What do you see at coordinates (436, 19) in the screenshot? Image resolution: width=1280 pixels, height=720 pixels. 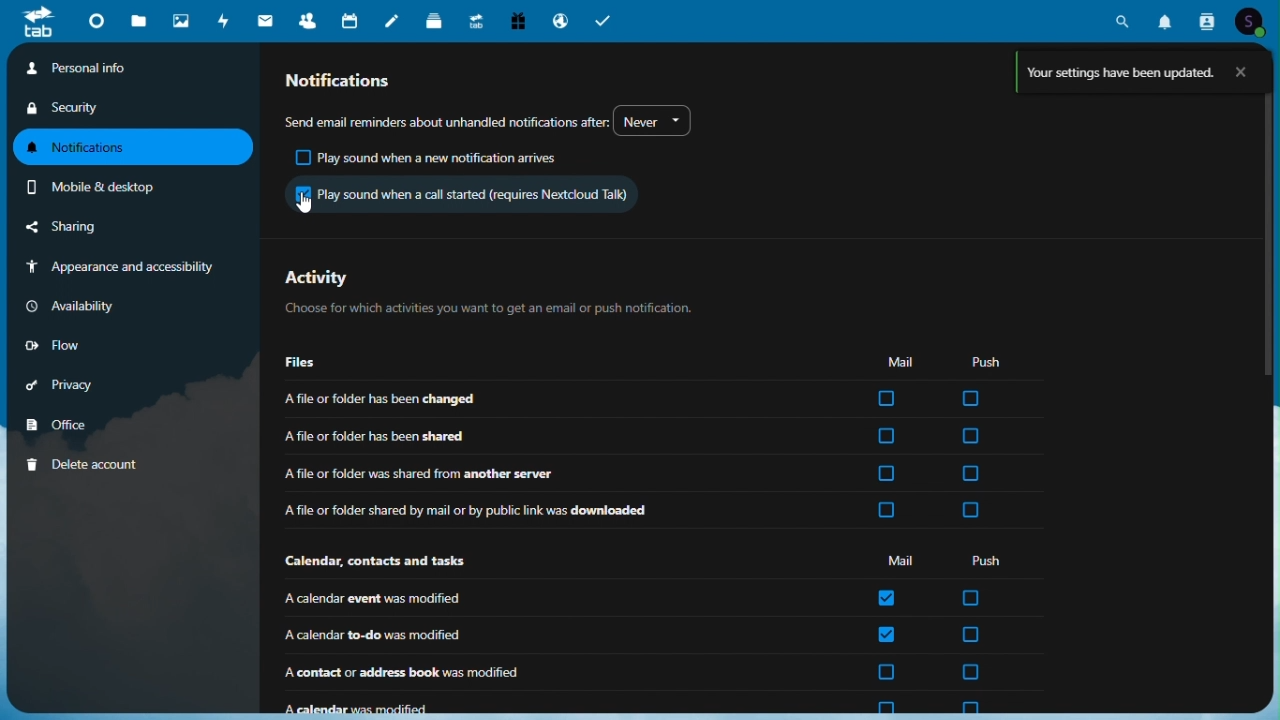 I see `deck` at bounding box center [436, 19].